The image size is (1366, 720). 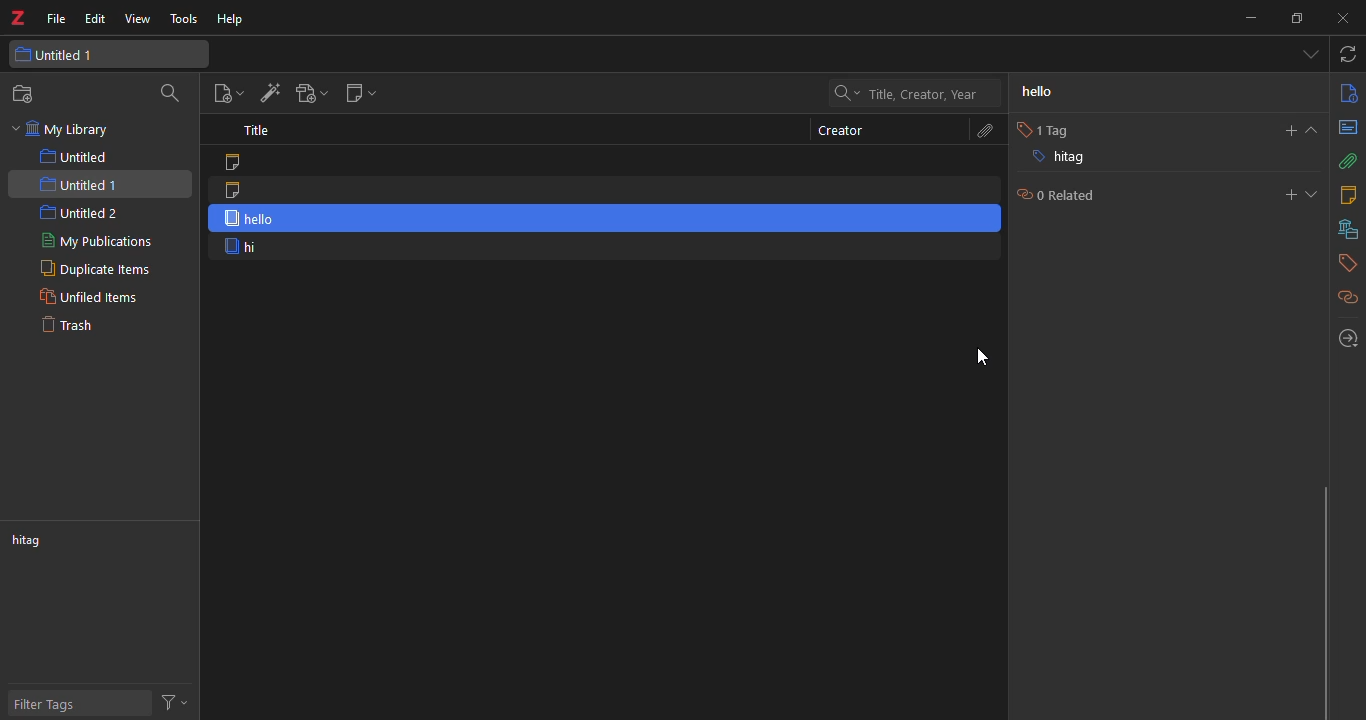 I want to click on z, so click(x=22, y=19).